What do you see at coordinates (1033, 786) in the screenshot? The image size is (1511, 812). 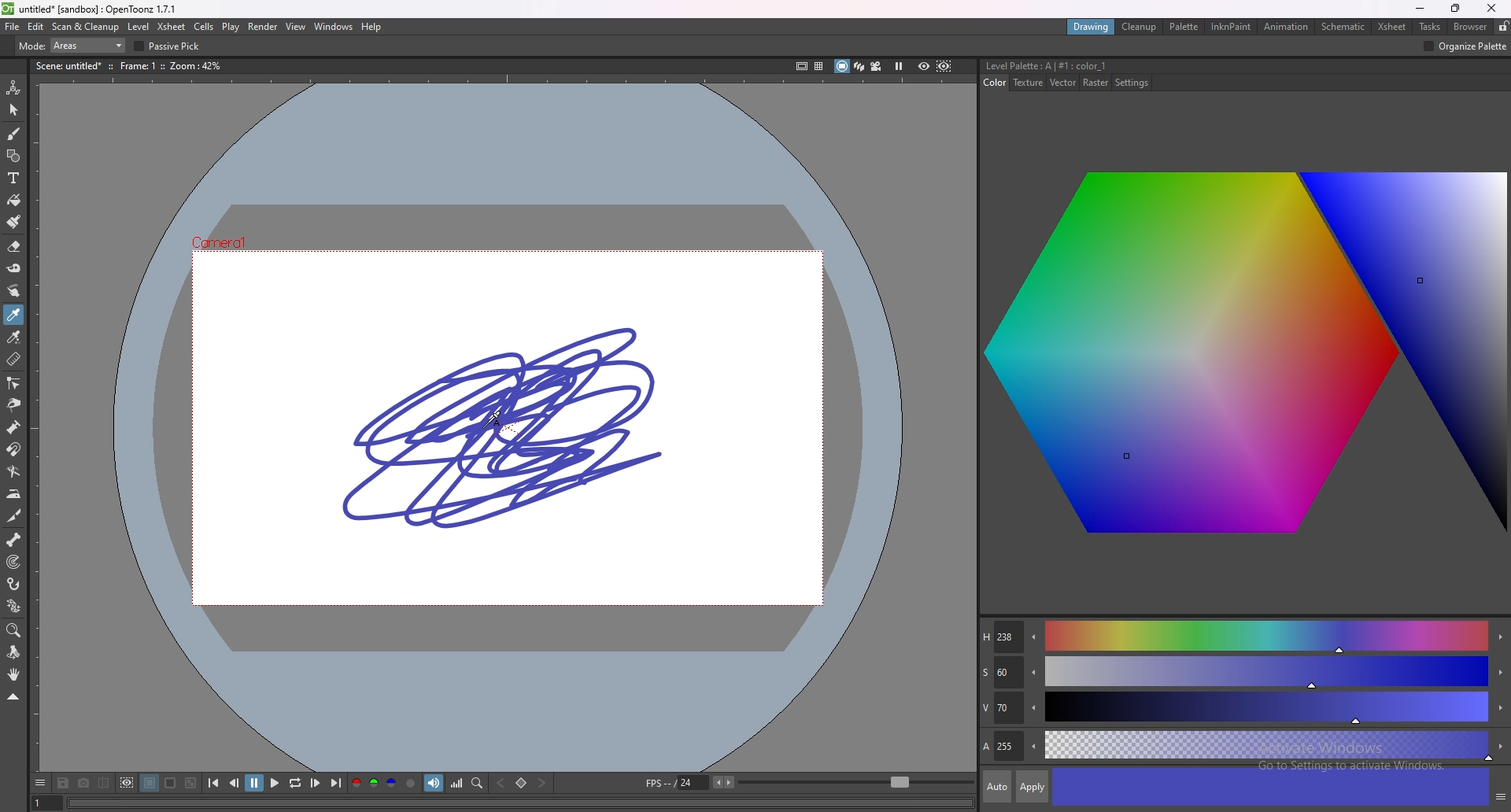 I see `apply` at bounding box center [1033, 786].